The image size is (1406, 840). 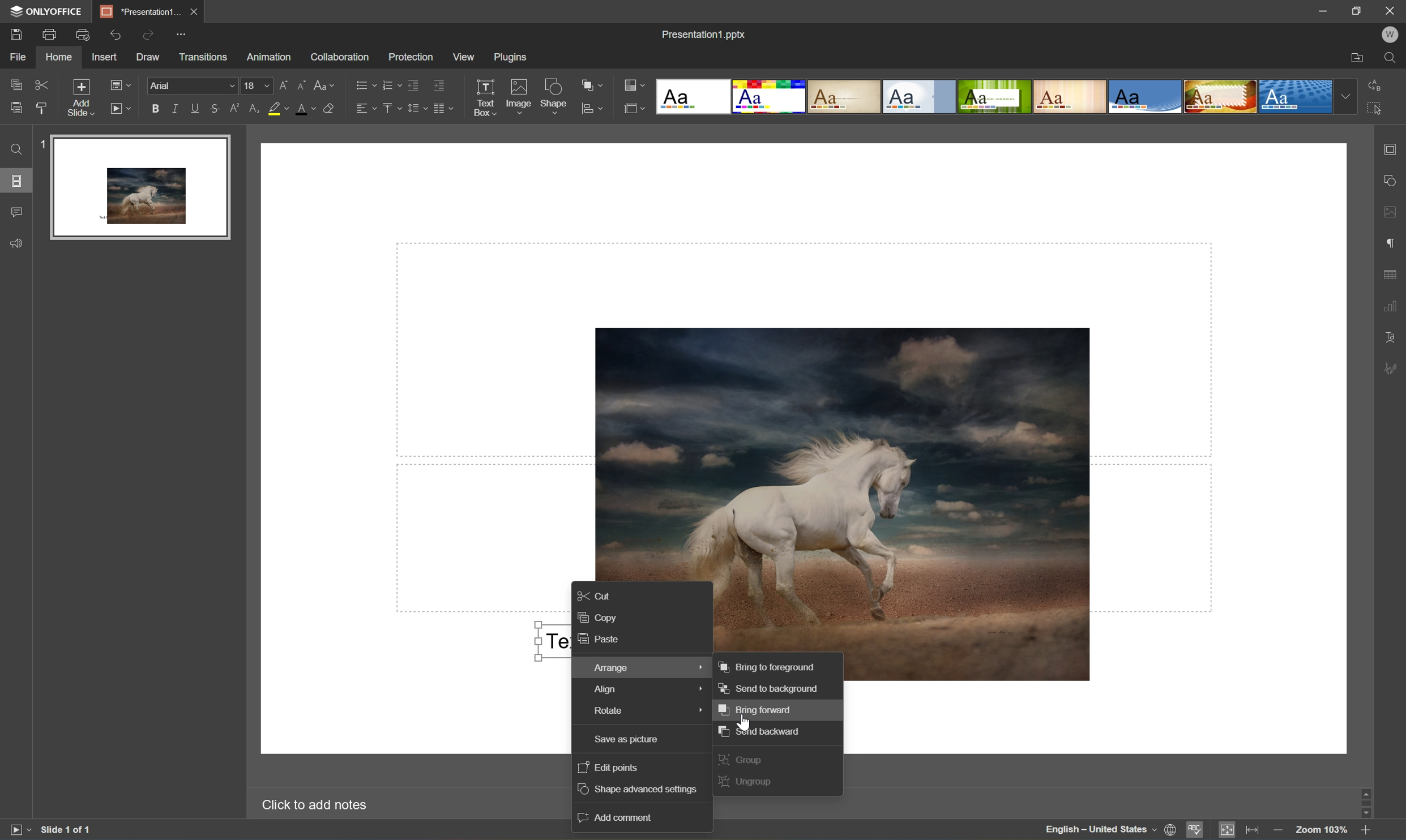 I want to click on Draw, so click(x=151, y=58).